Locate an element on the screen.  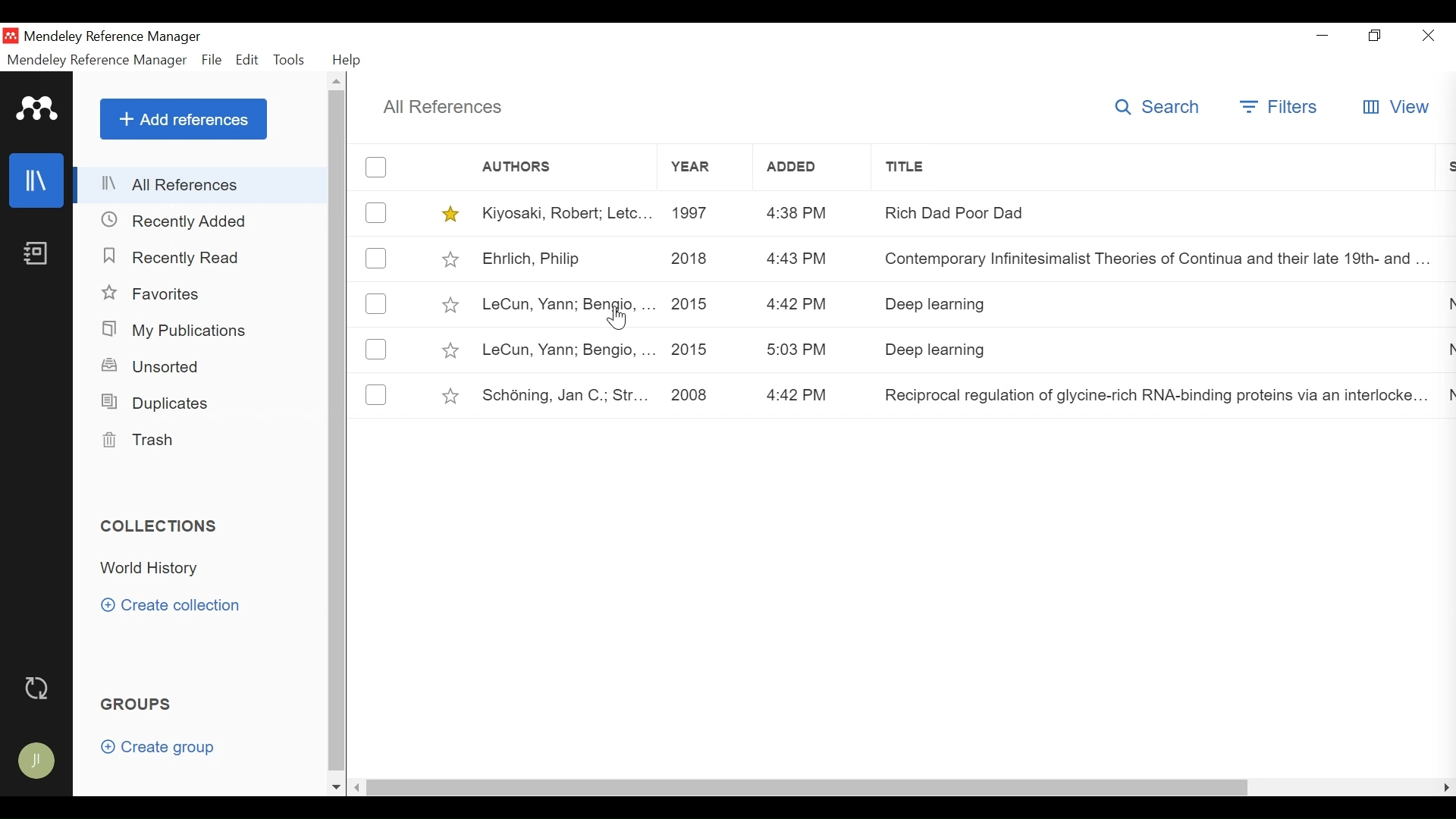
Mendeley Reference Manager is located at coordinates (96, 60).